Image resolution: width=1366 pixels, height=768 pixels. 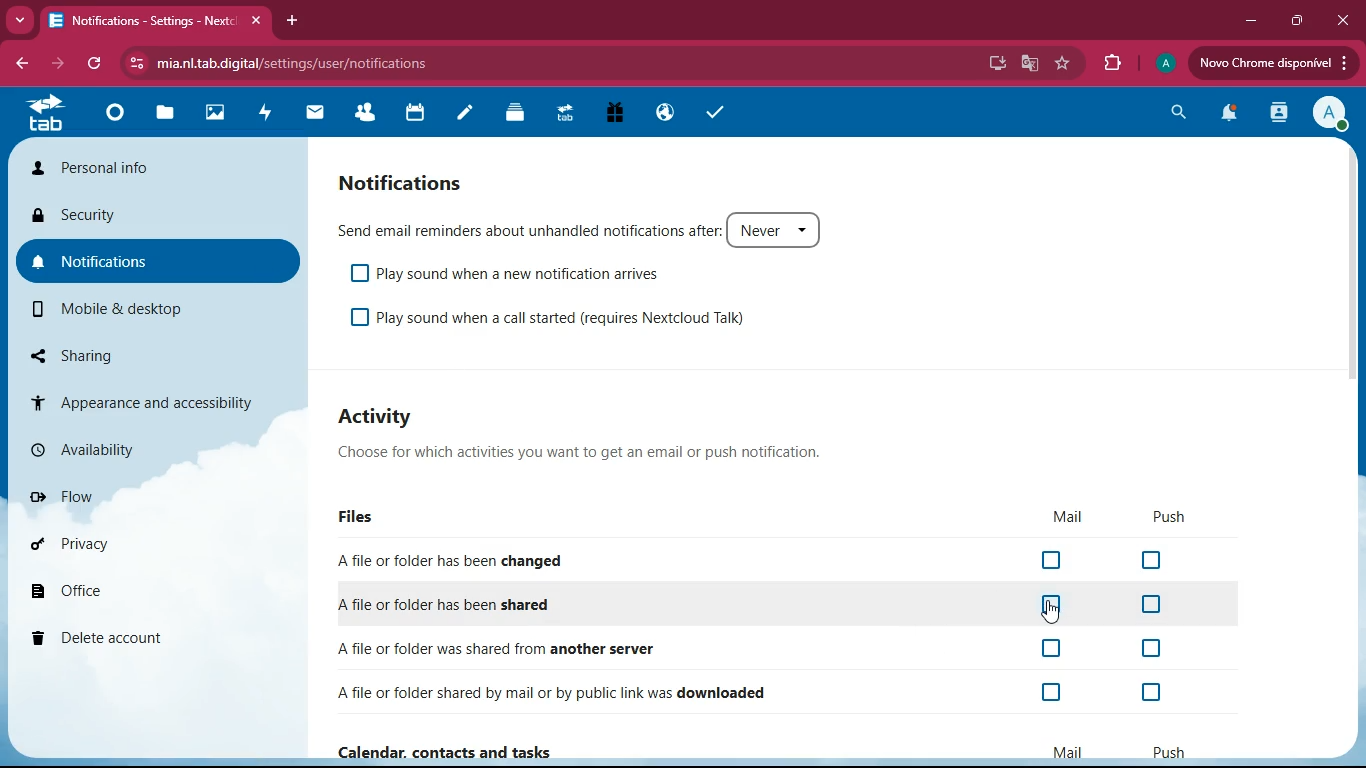 What do you see at coordinates (358, 515) in the screenshot?
I see `files` at bounding box center [358, 515].